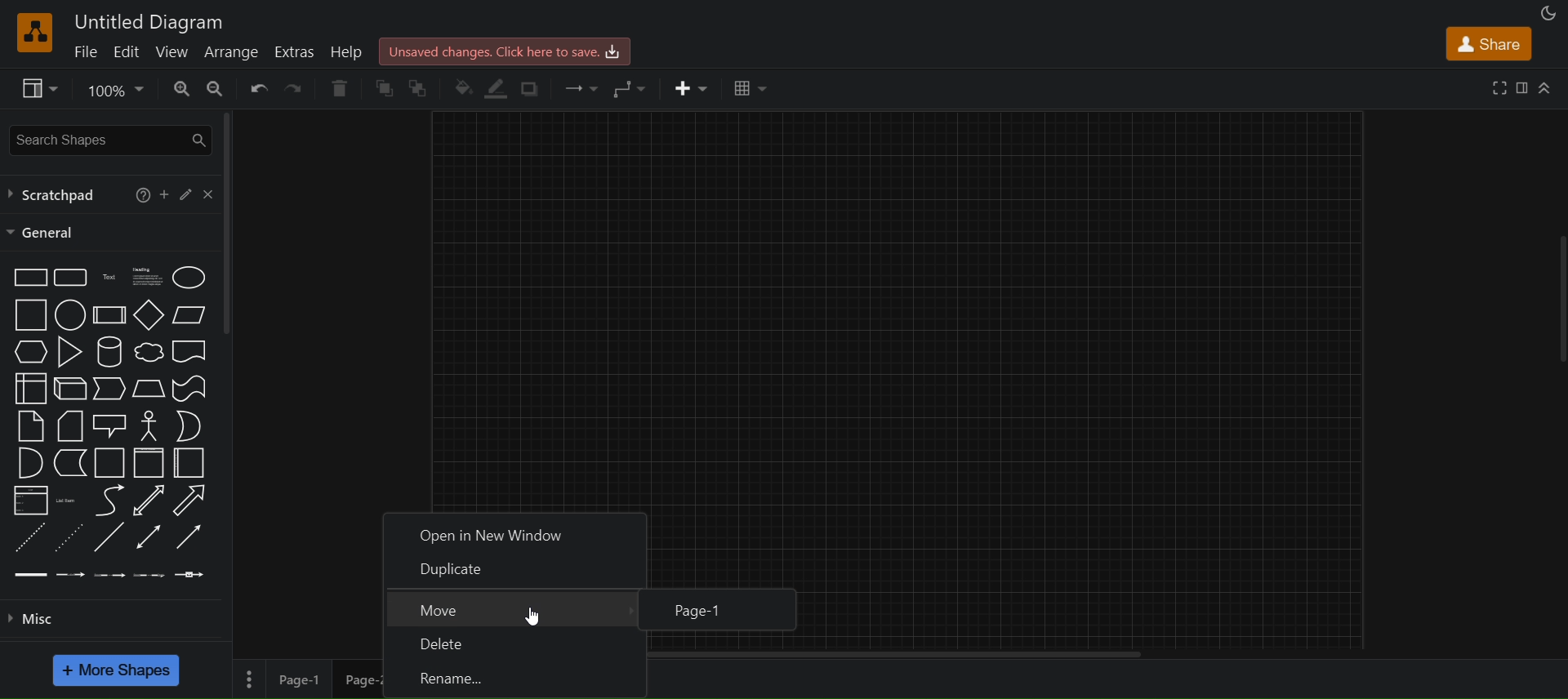 The width and height of the screenshot is (1568, 699). What do you see at coordinates (119, 89) in the screenshot?
I see `zoom` at bounding box center [119, 89].